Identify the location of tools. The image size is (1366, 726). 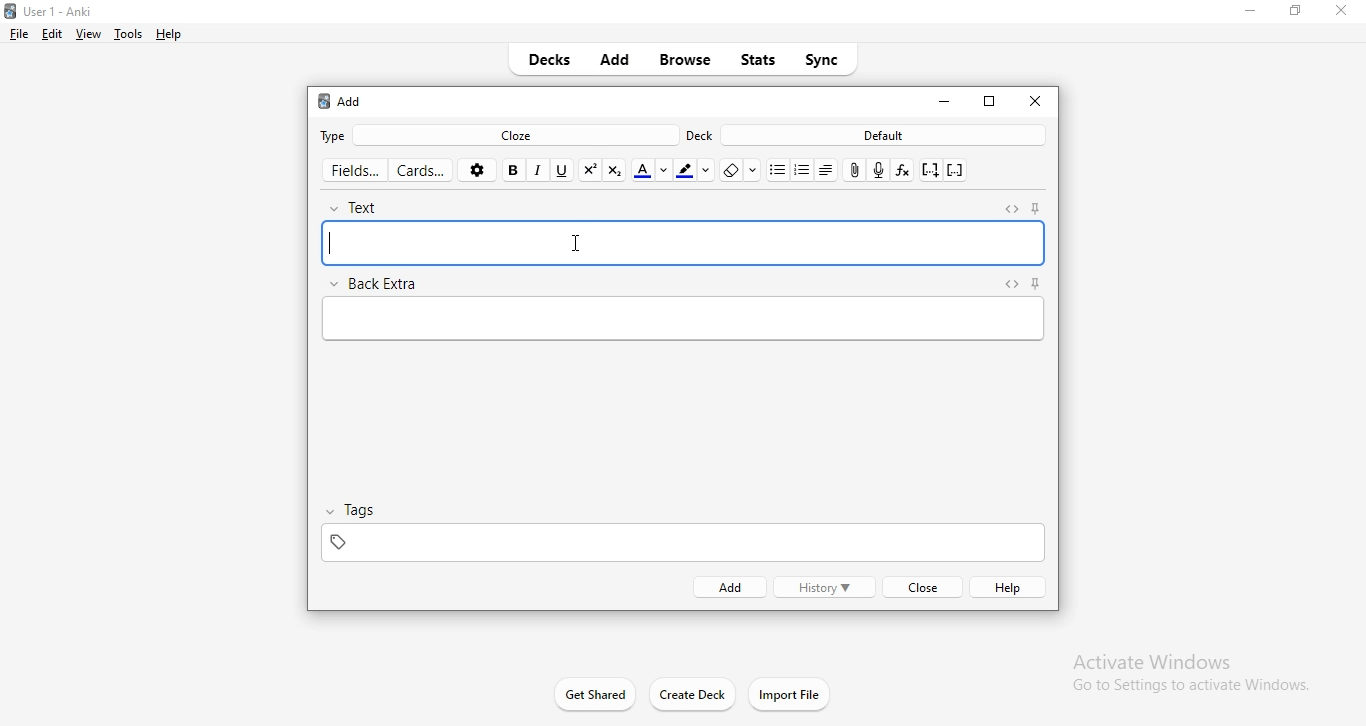
(128, 36).